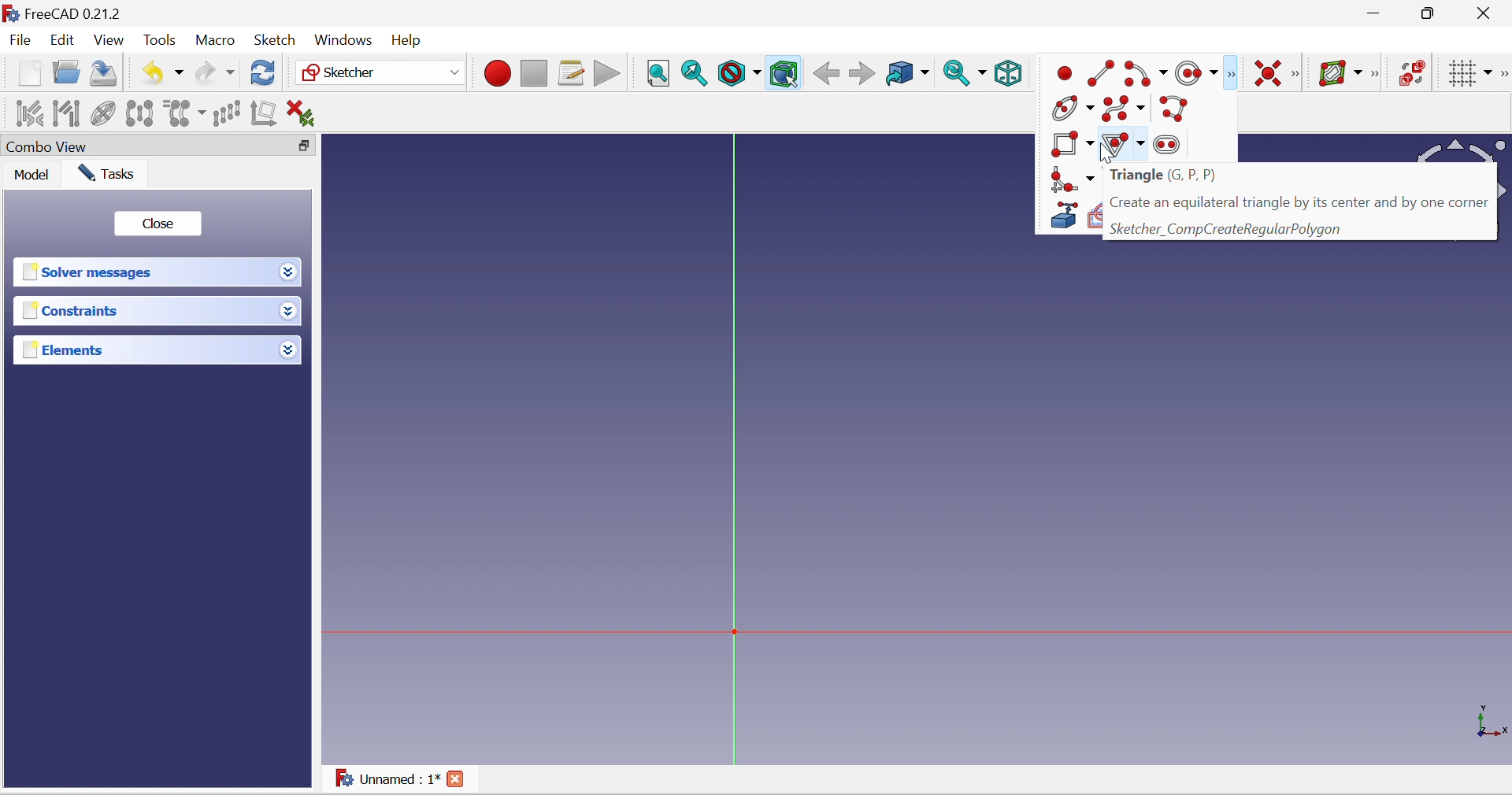 The image size is (1512, 795). I want to click on Edit, so click(61, 39).